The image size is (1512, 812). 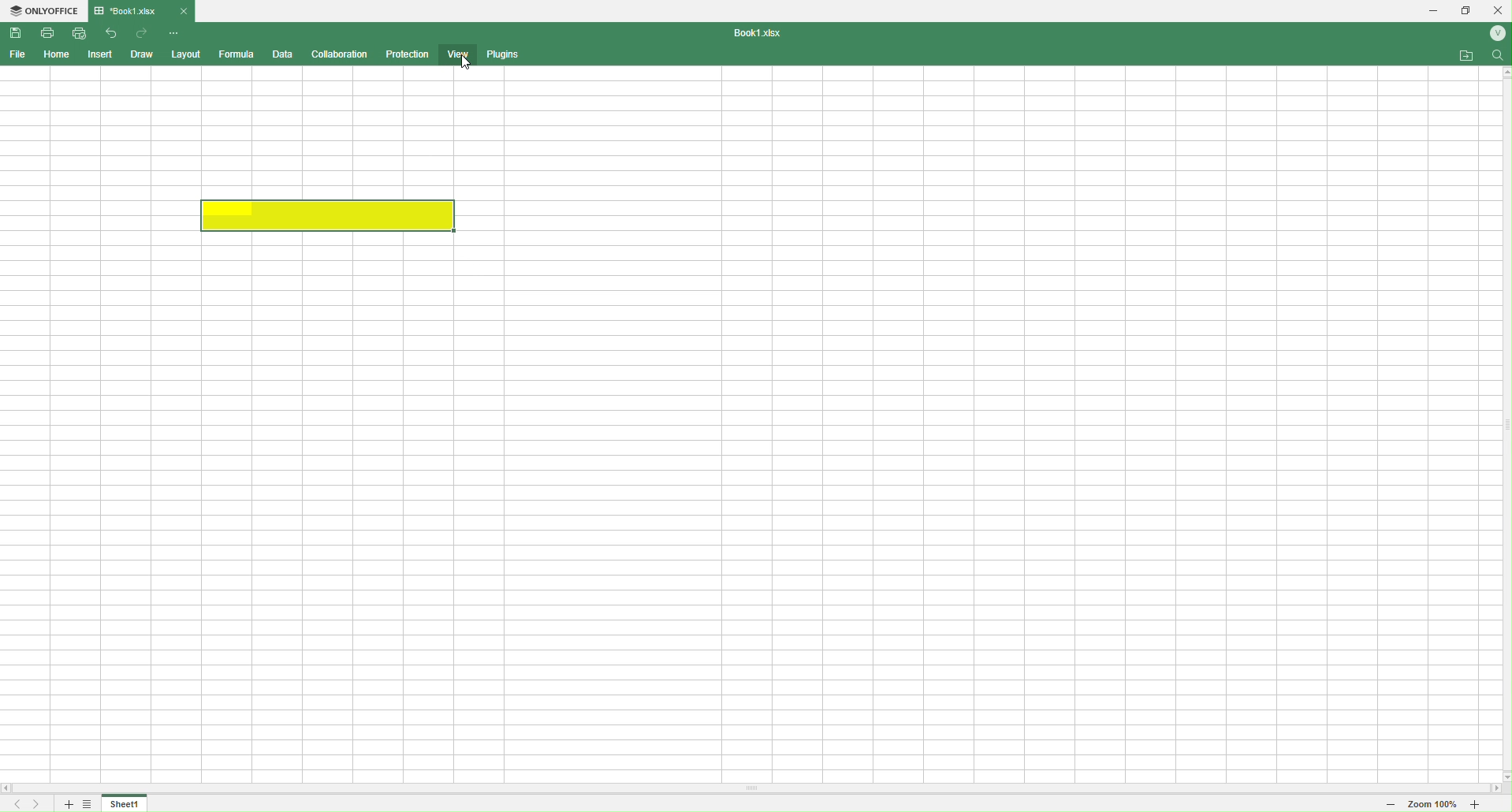 What do you see at coordinates (1502, 423) in the screenshot?
I see `Scroll bar` at bounding box center [1502, 423].